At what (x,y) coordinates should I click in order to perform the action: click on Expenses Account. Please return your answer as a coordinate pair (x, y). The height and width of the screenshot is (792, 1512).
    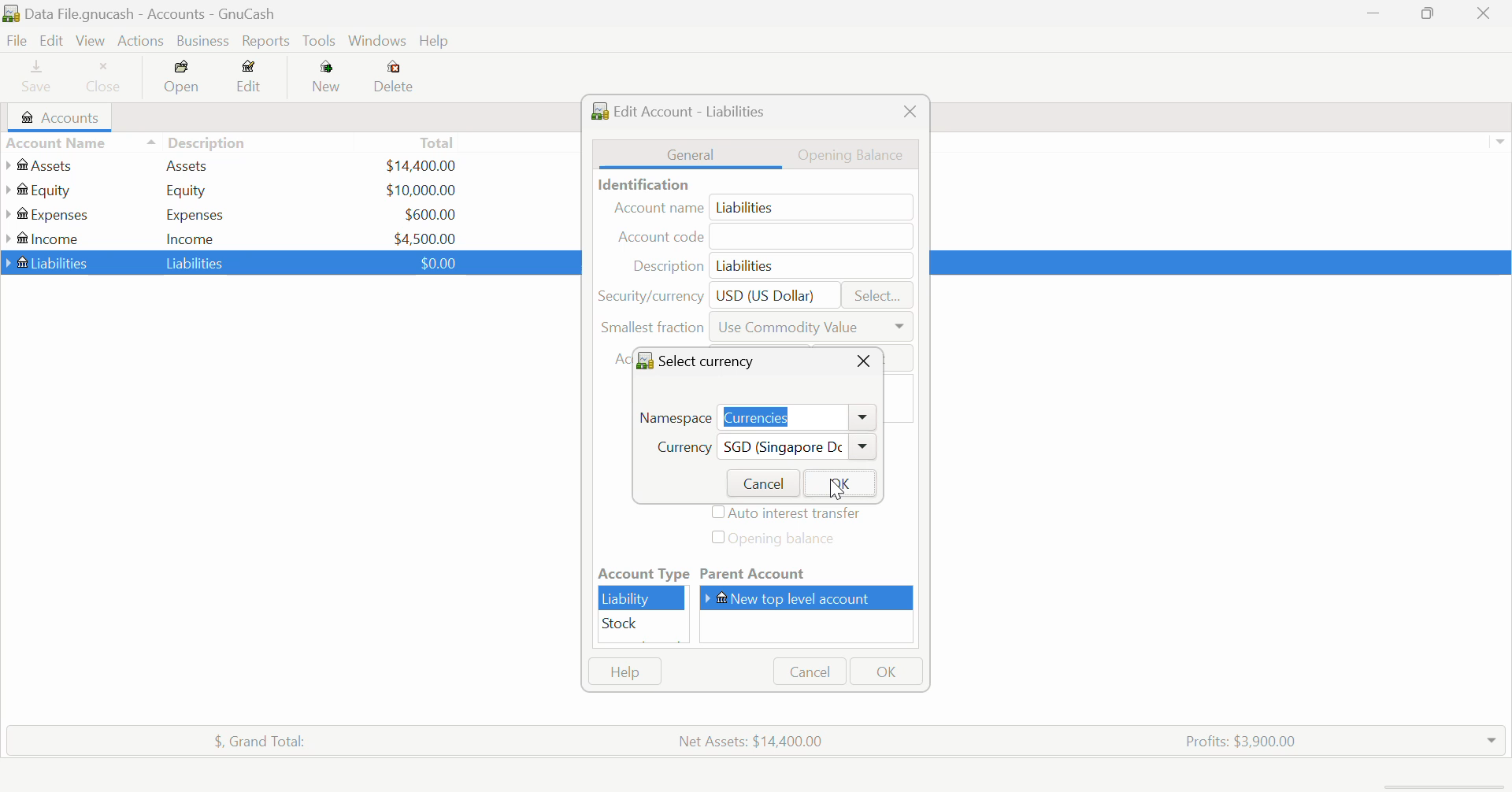
    Looking at the image, I should click on (46, 214).